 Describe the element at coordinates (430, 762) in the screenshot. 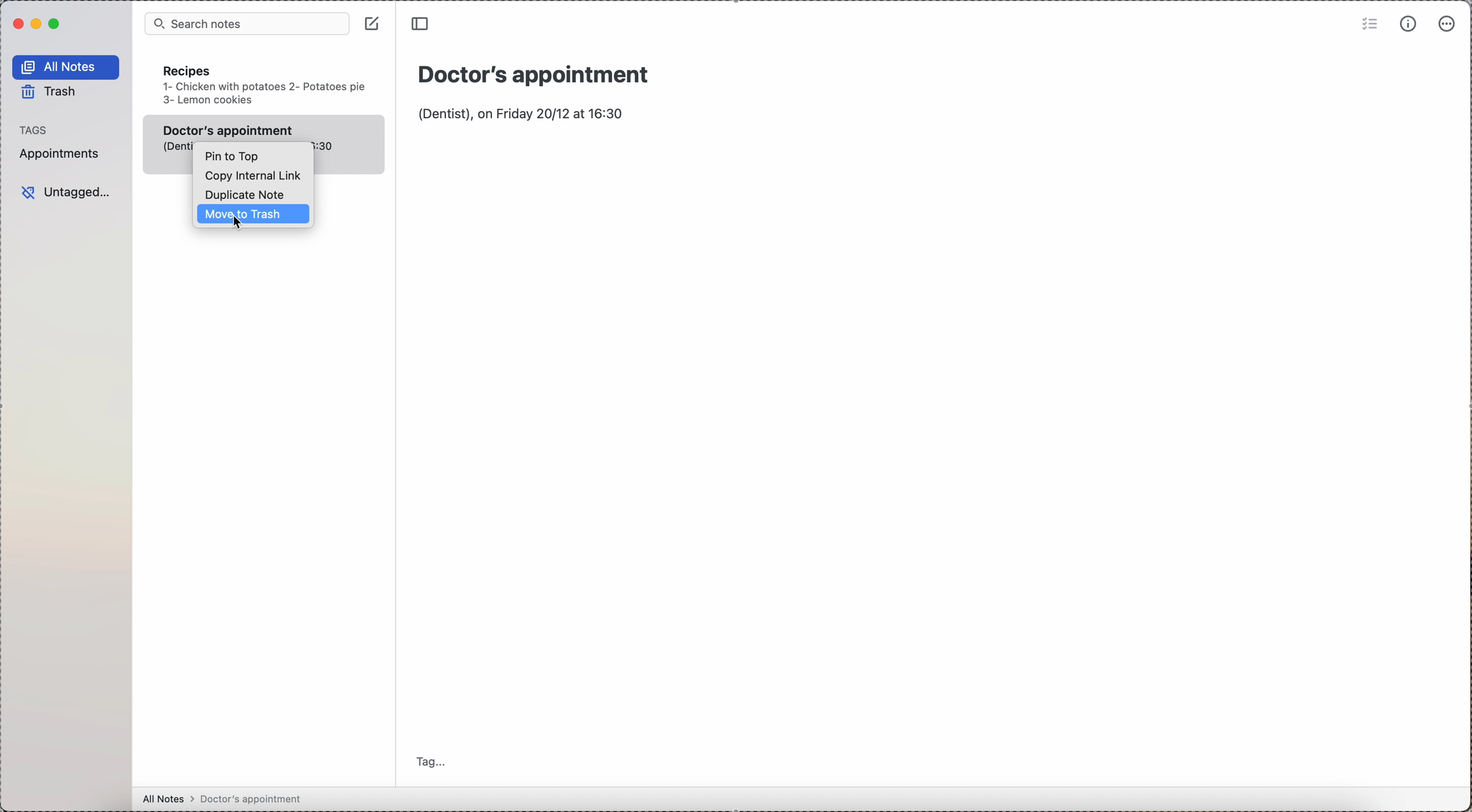

I see `tag` at that location.